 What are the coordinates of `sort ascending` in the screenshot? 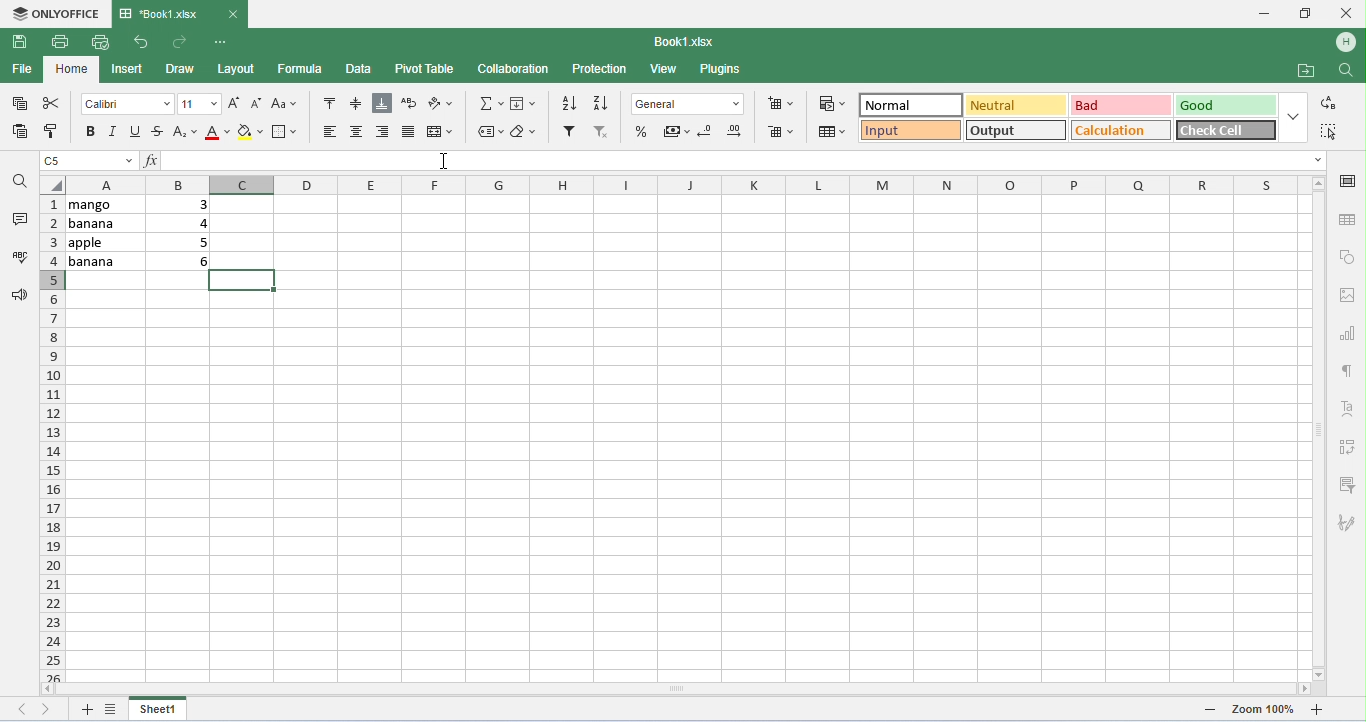 It's located at (567, 103).